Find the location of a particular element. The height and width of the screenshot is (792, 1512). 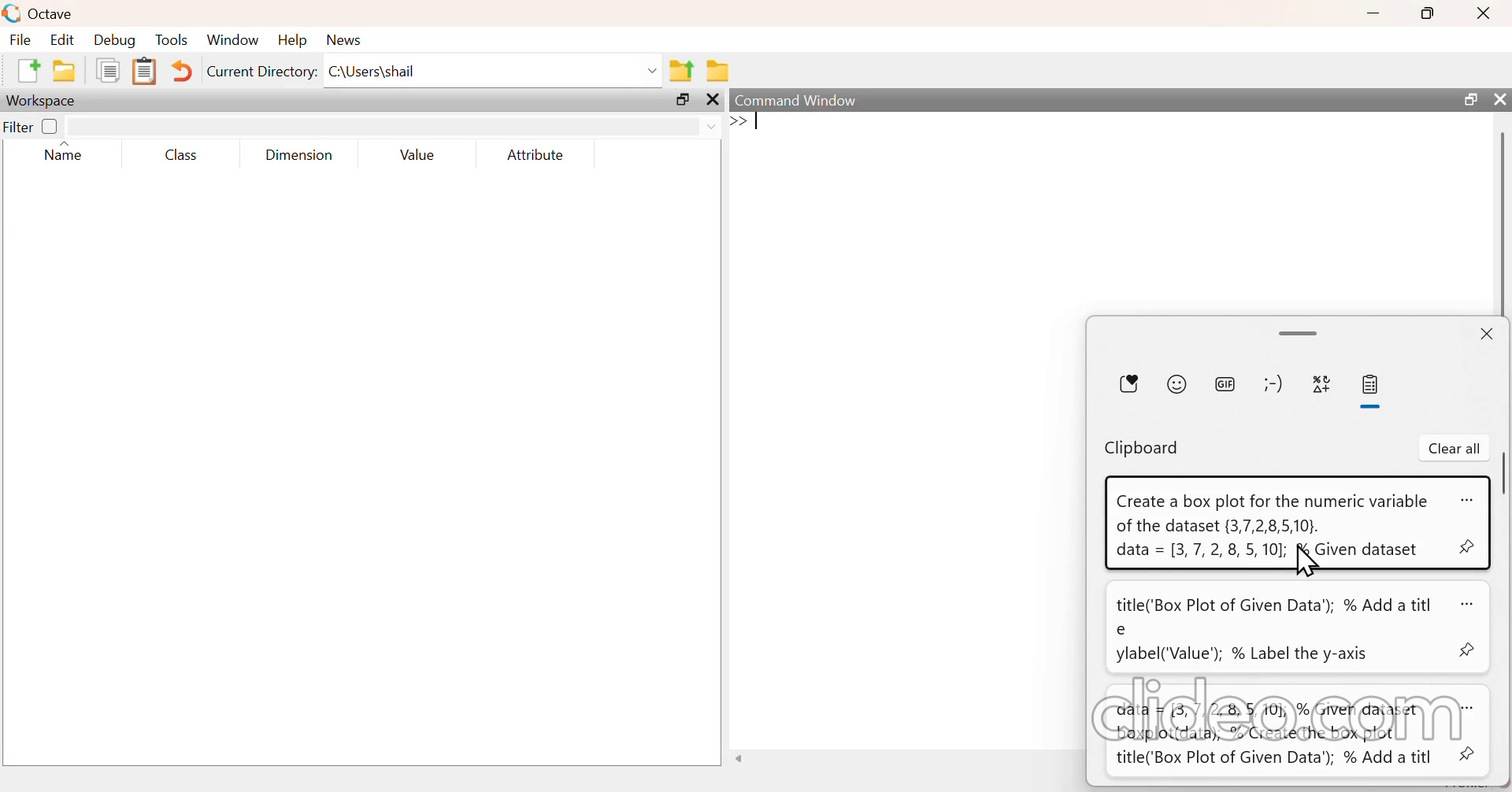

workspace is located at coordinates (42, 99).